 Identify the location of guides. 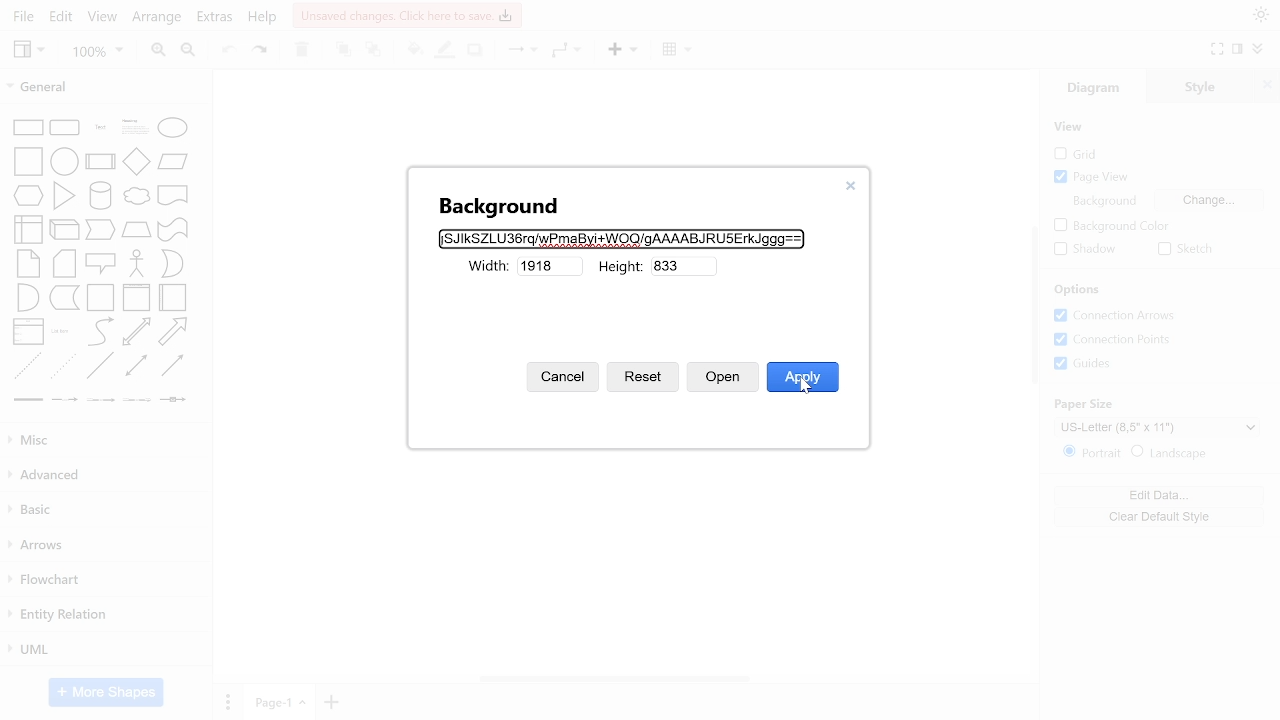
(1084, 364).